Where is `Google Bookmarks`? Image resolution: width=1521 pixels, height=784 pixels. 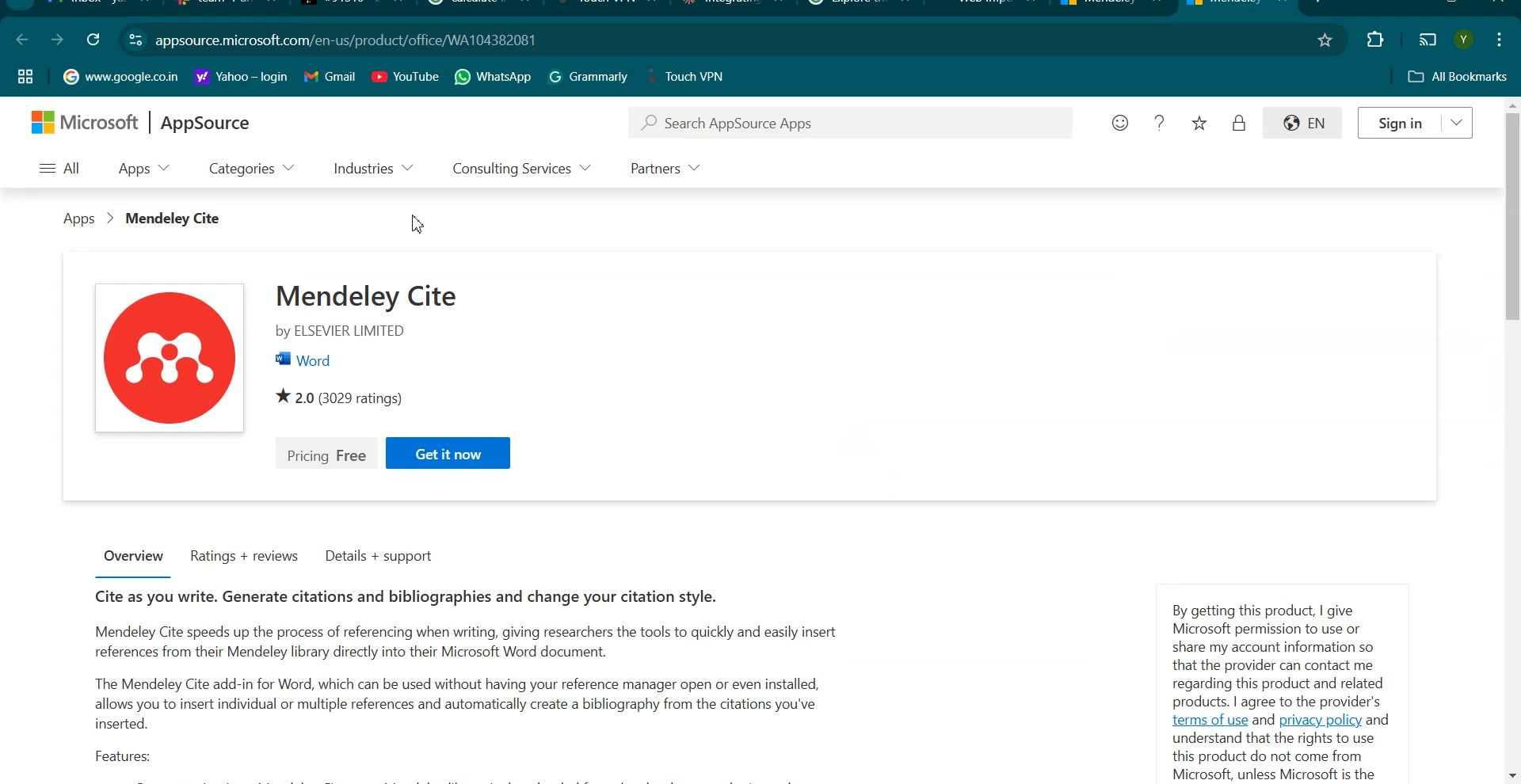
Google Bookmarks is located at coordinates (120, 76).